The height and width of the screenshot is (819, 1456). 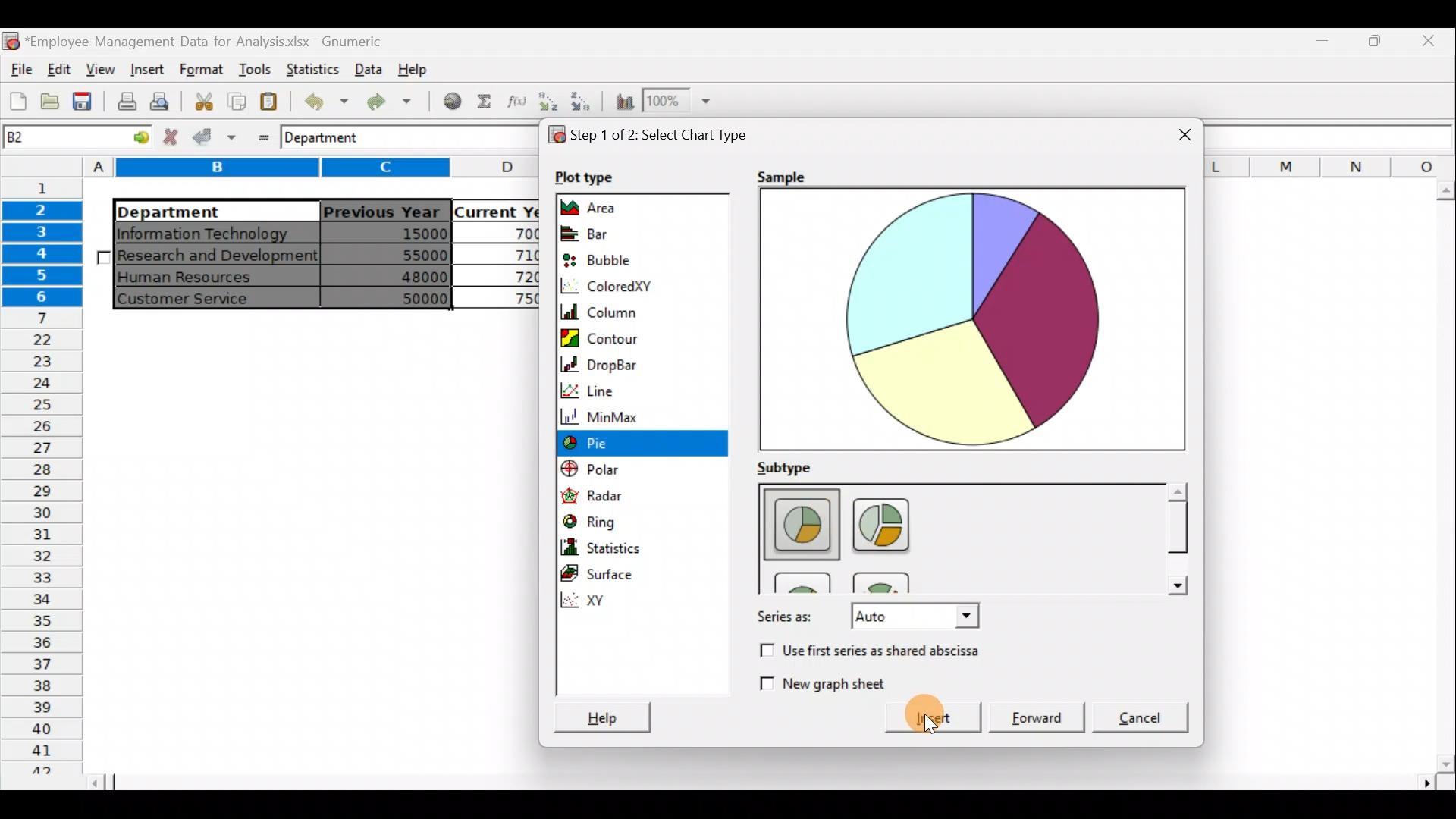 I want to click on File, so click(x=19, y=65).